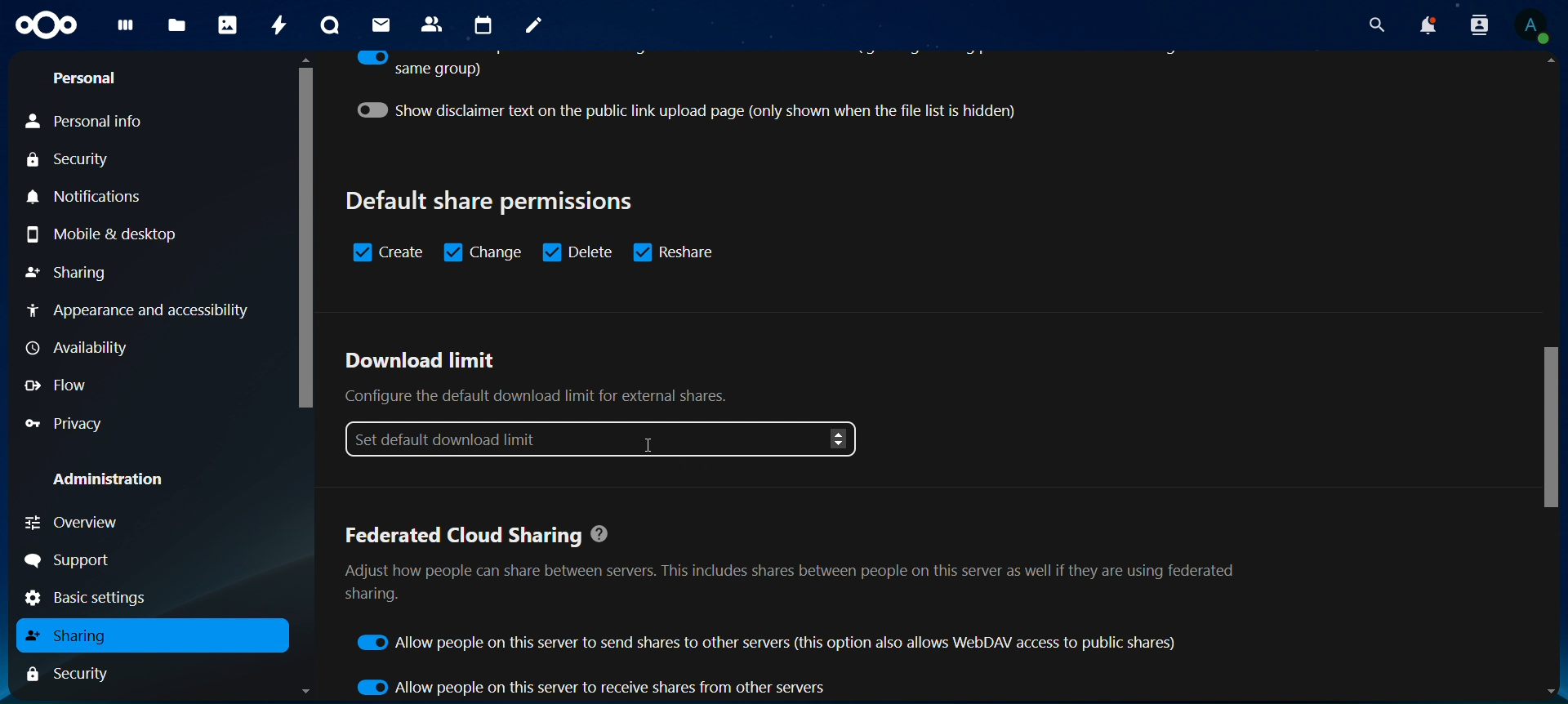 The height and width of the screenshot is (704, 1568). What do you see at coordinates (230, 25) in the screenshot?
I see `photos` at bounding box center [230, 25].